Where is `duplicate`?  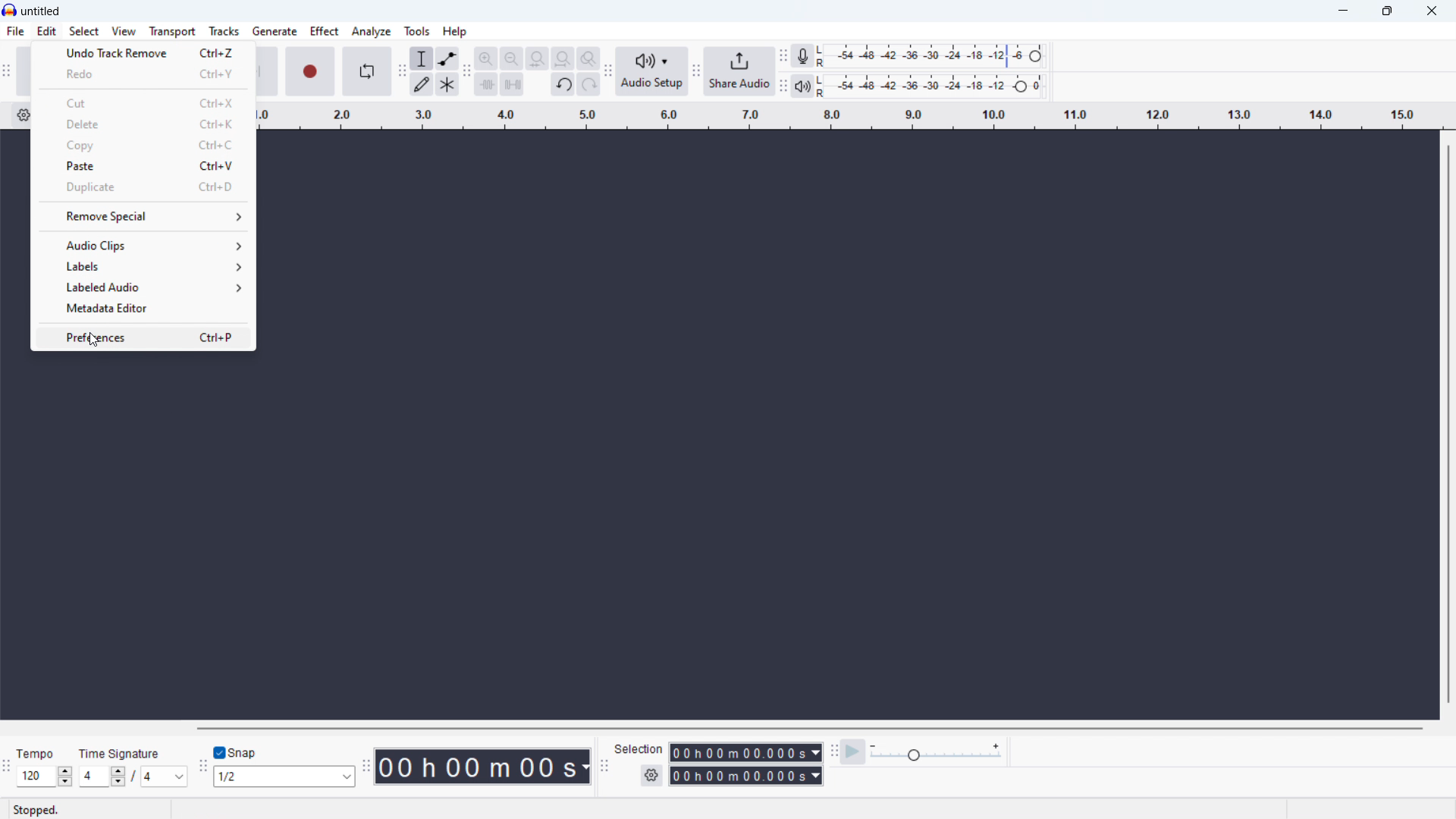 duplicate is located at coordinates (143, 188).